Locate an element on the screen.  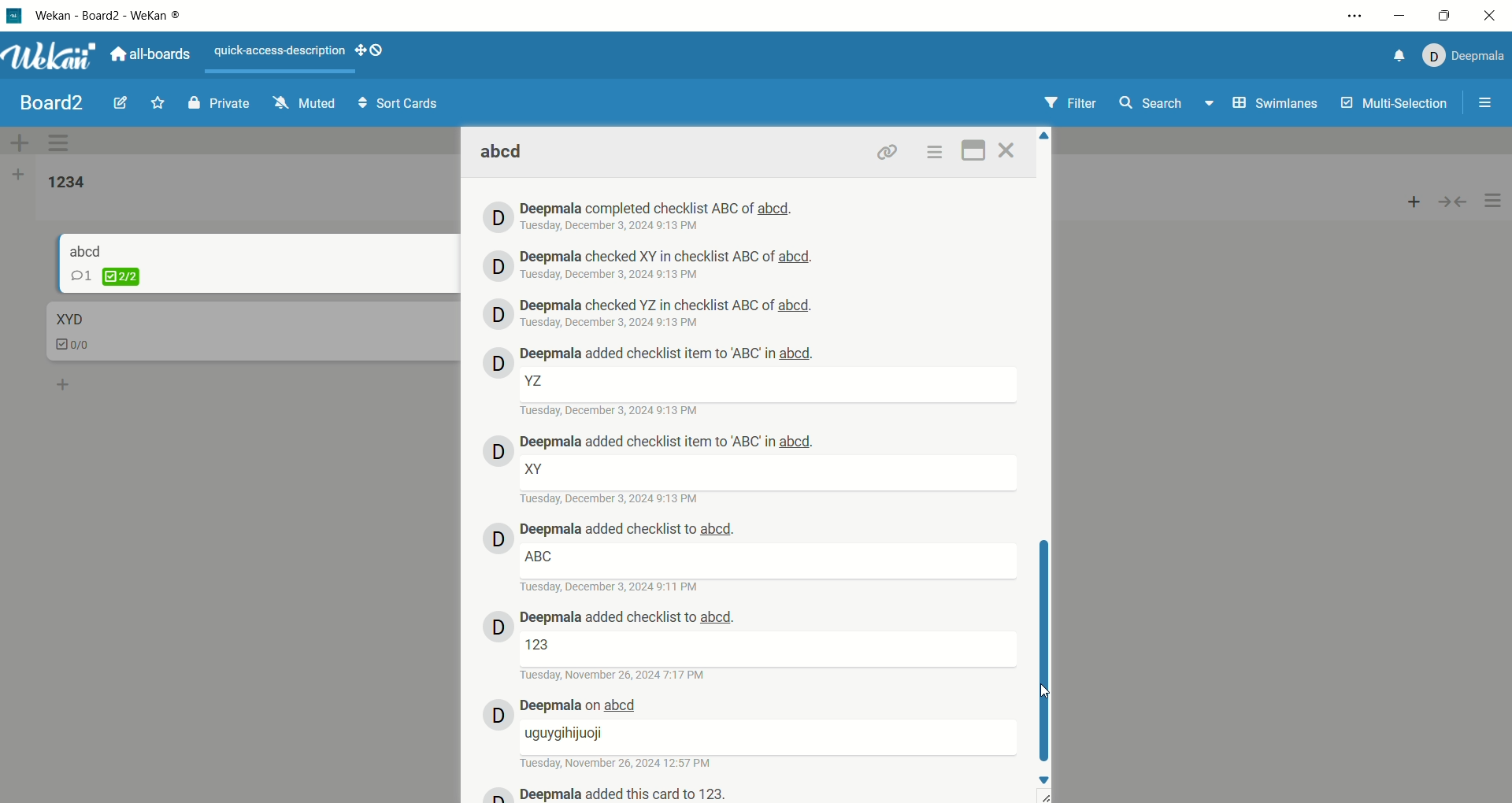
cursor is located at coordinates (1047, 694).